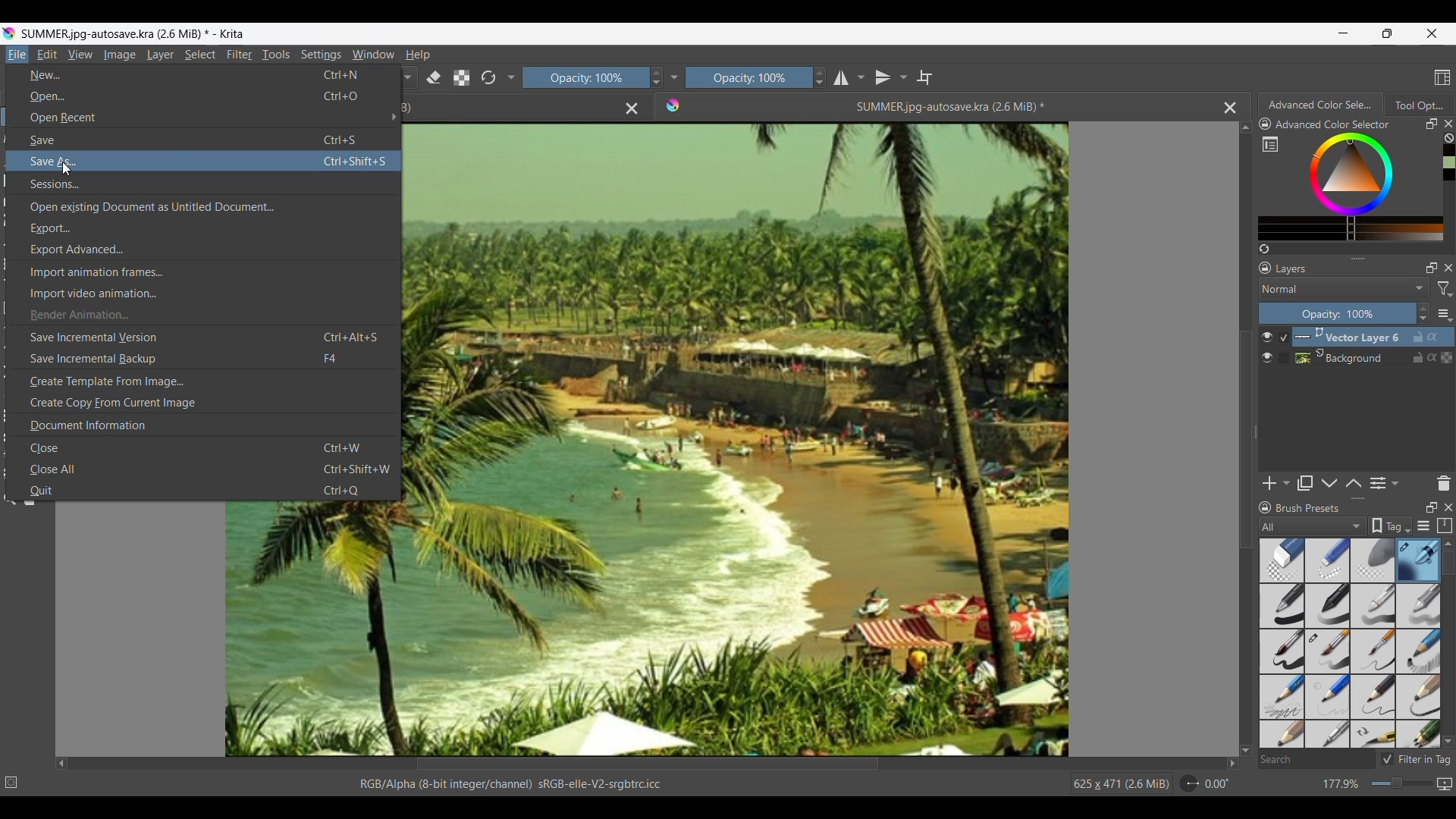 This screenshot has width=1456, height=819. I want to click on No selection, so click(11, 783).